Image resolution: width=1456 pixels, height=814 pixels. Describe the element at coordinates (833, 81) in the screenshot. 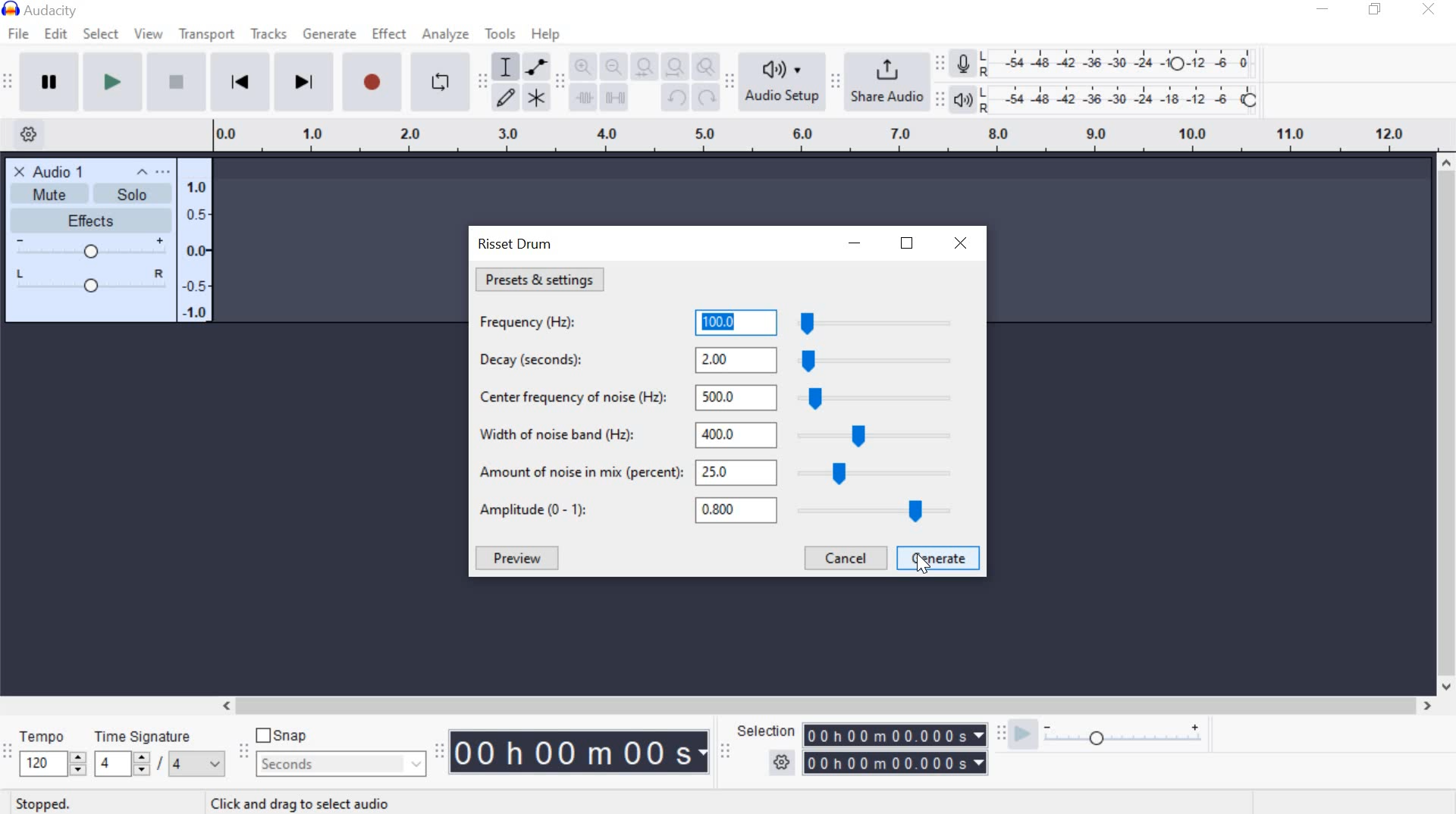

I see `Share Audio Toolbar` at that location.